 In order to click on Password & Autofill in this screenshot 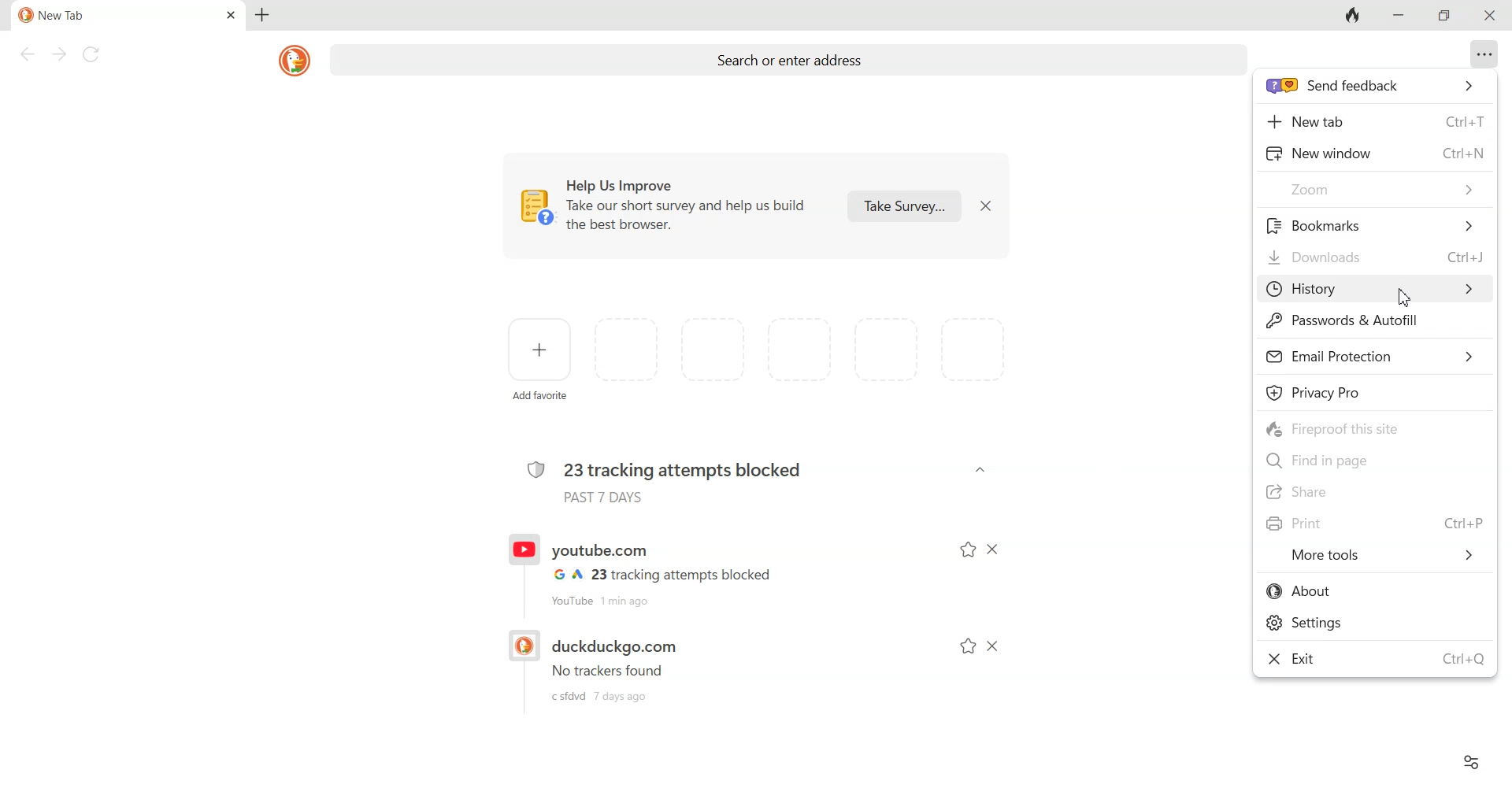, I will do `click(1346, 322)`.